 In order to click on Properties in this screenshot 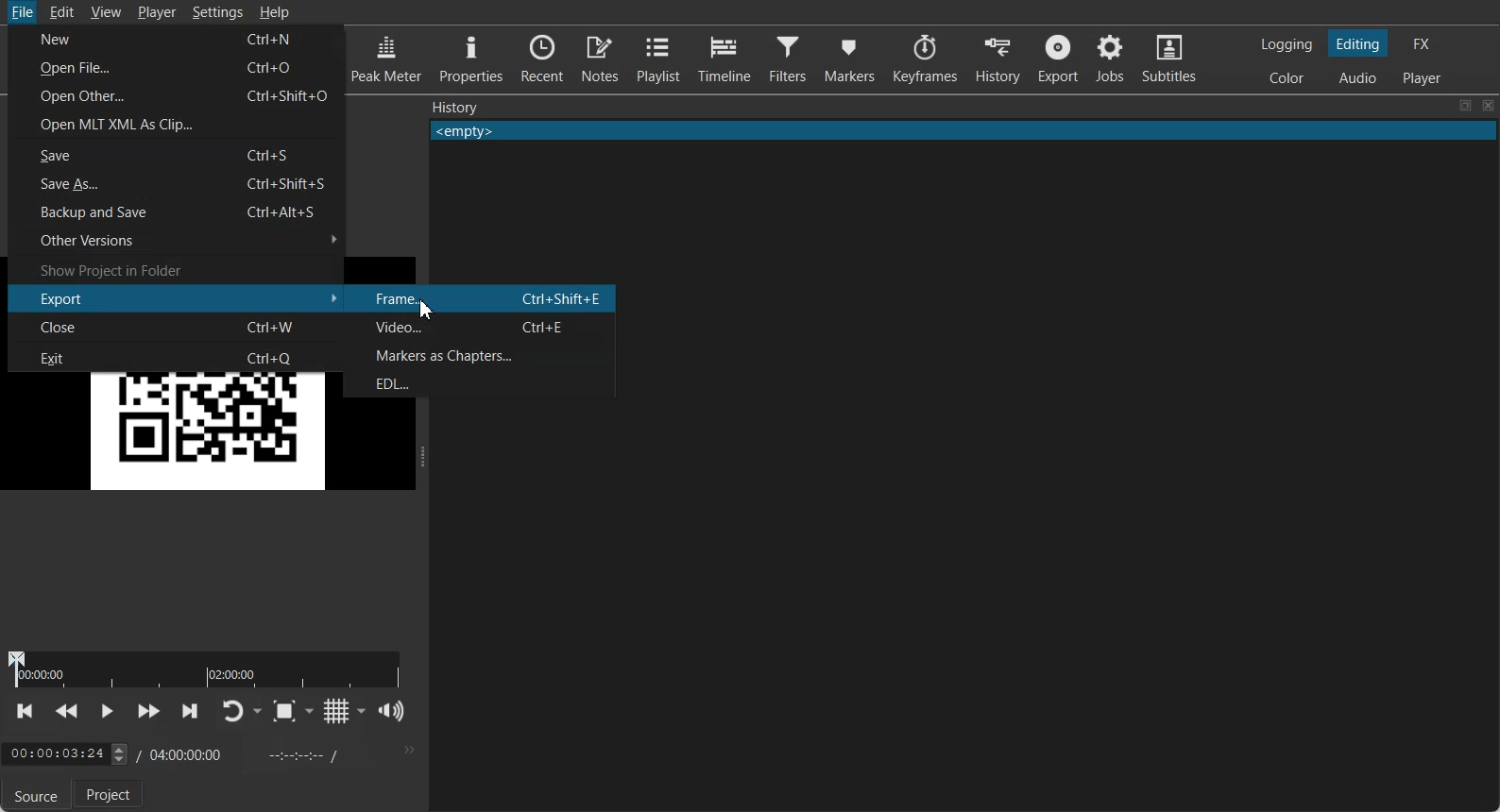, I will do `click(469, 58)`.